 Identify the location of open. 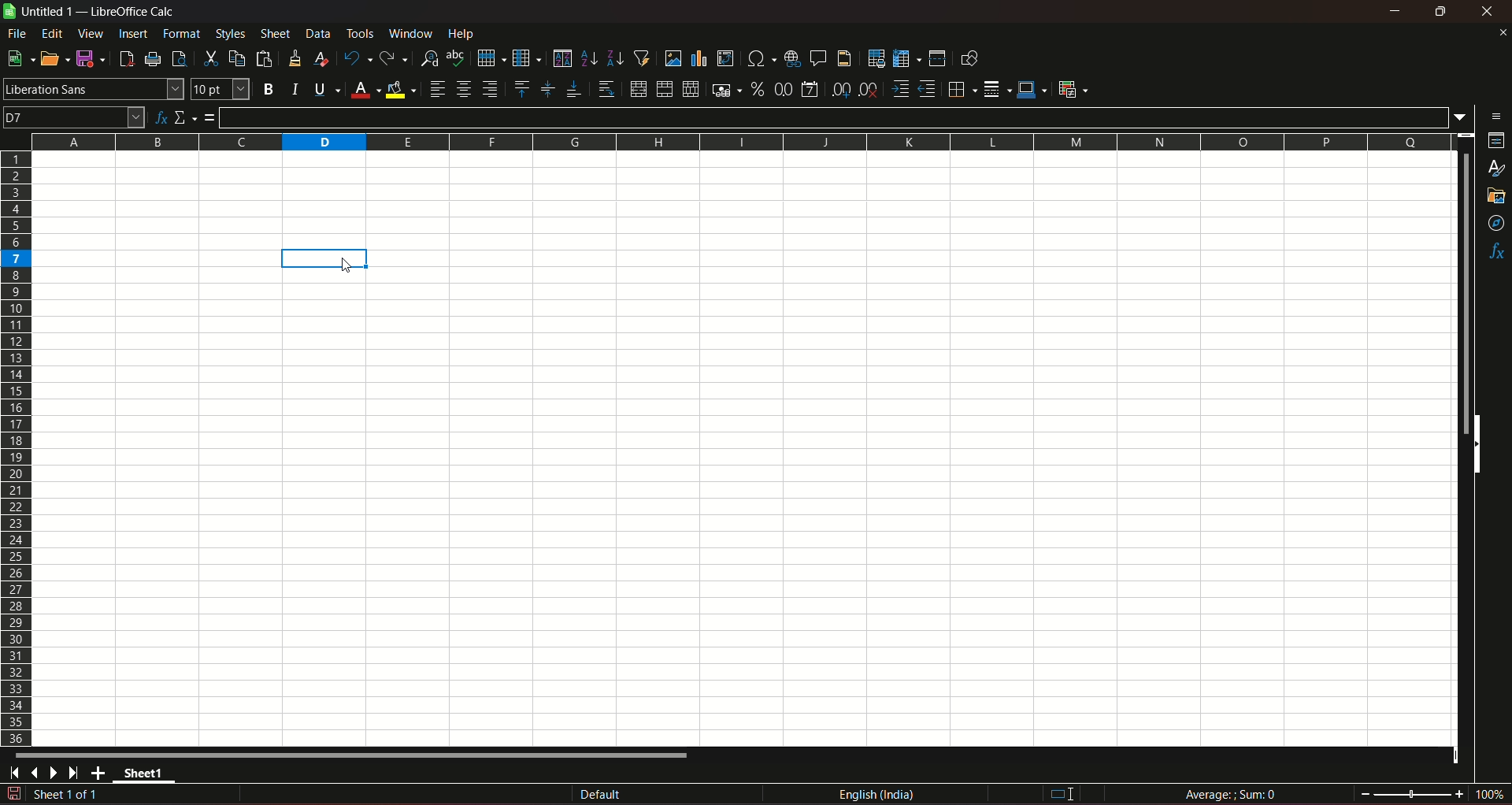
(51, 58).